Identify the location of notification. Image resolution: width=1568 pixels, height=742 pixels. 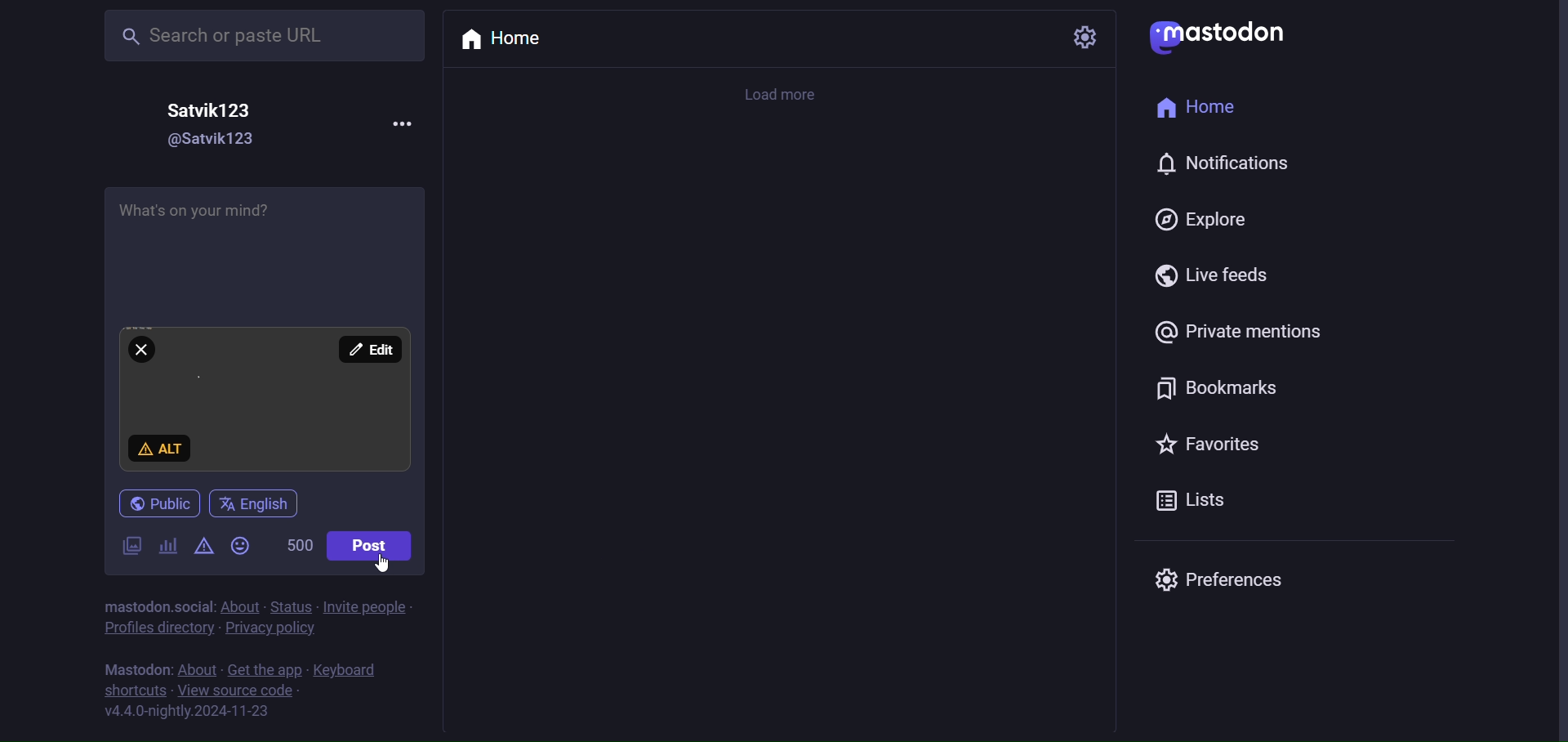
(1220, 161).